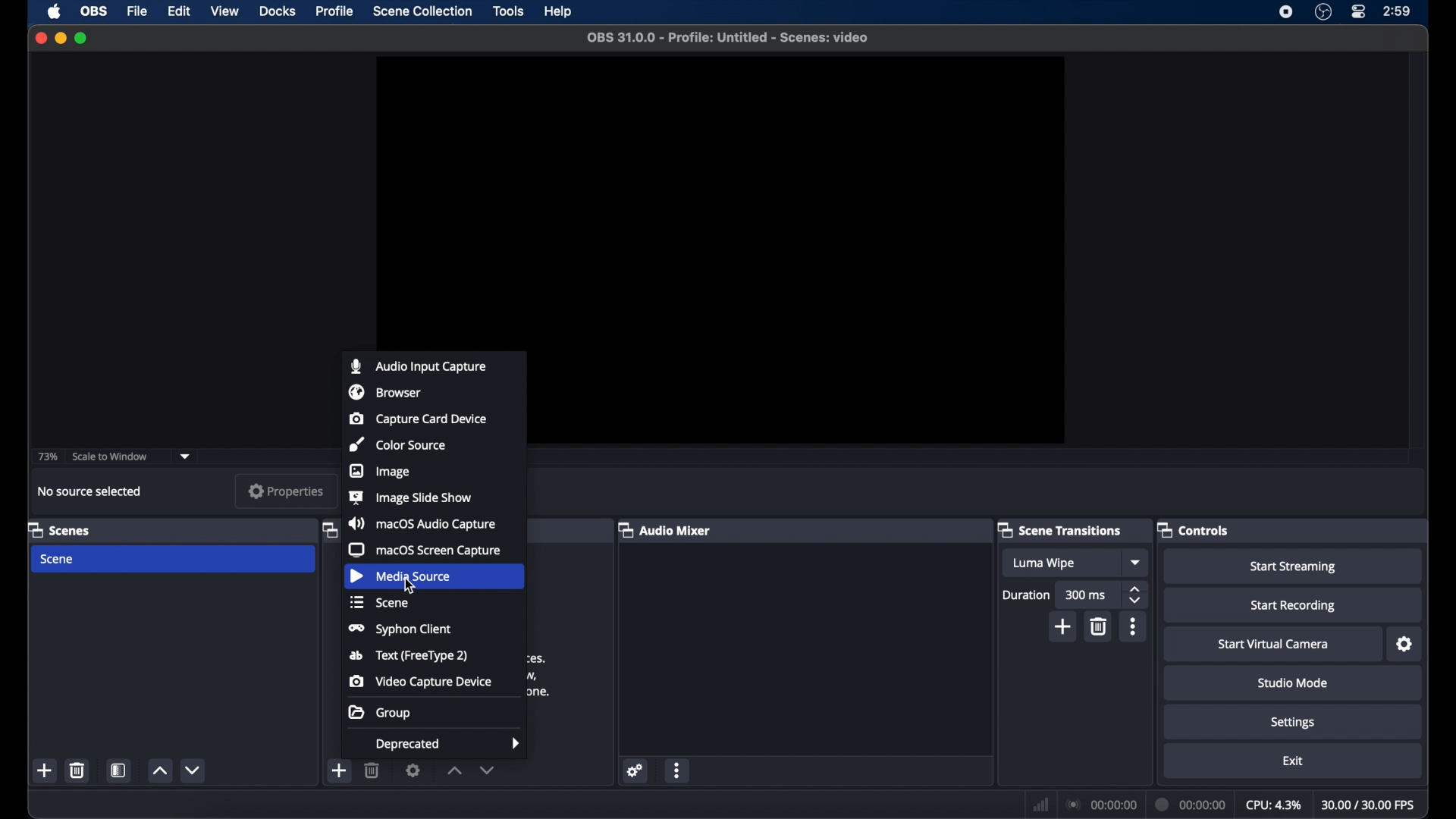  What do you see at coordinates (408, 655) in the screenshot?
I see `text` at bounding box center [408, 655].